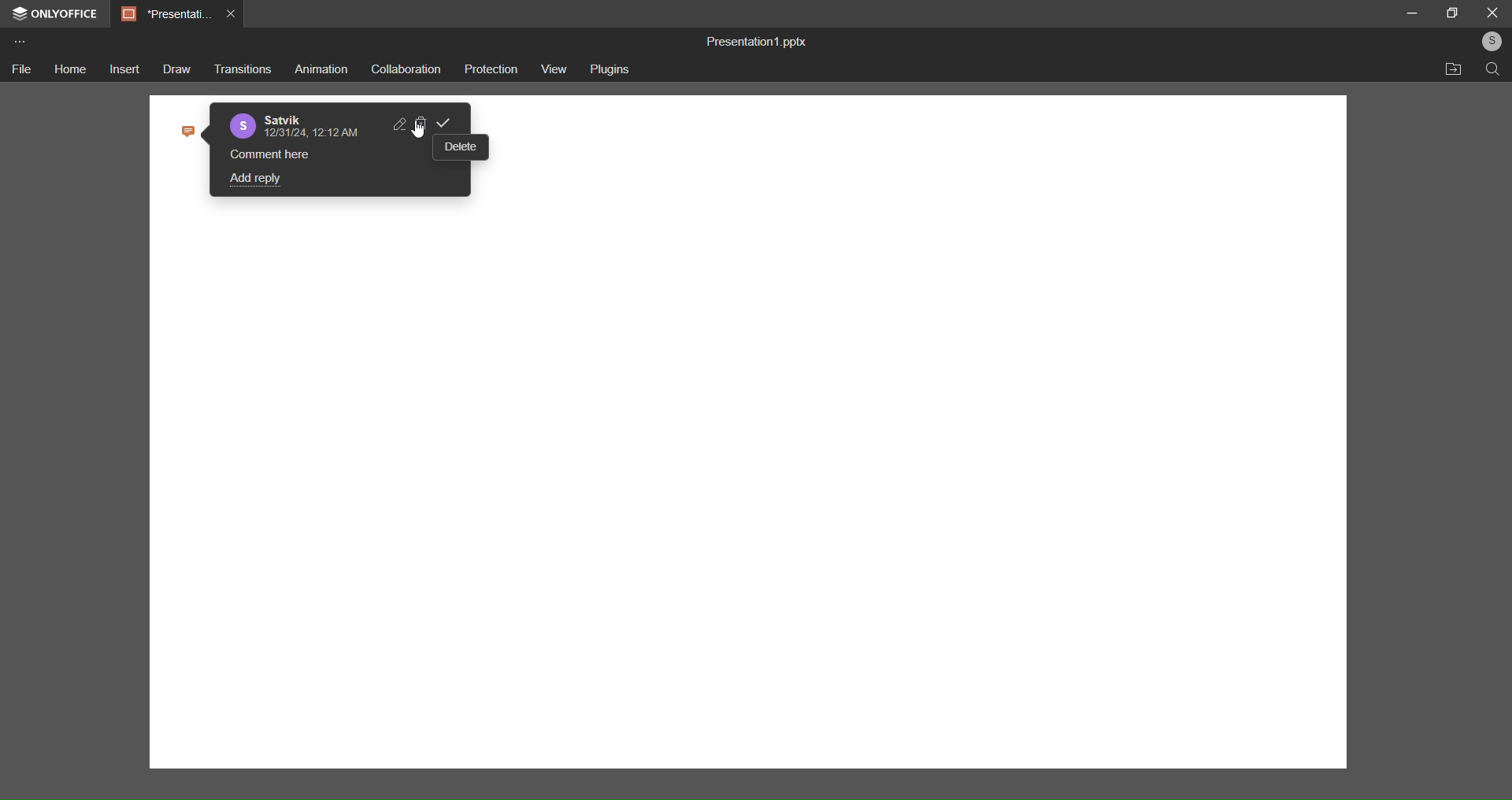 This screenshot has width=1512, height=800. I want to click on minimize, so click(1413, 13).